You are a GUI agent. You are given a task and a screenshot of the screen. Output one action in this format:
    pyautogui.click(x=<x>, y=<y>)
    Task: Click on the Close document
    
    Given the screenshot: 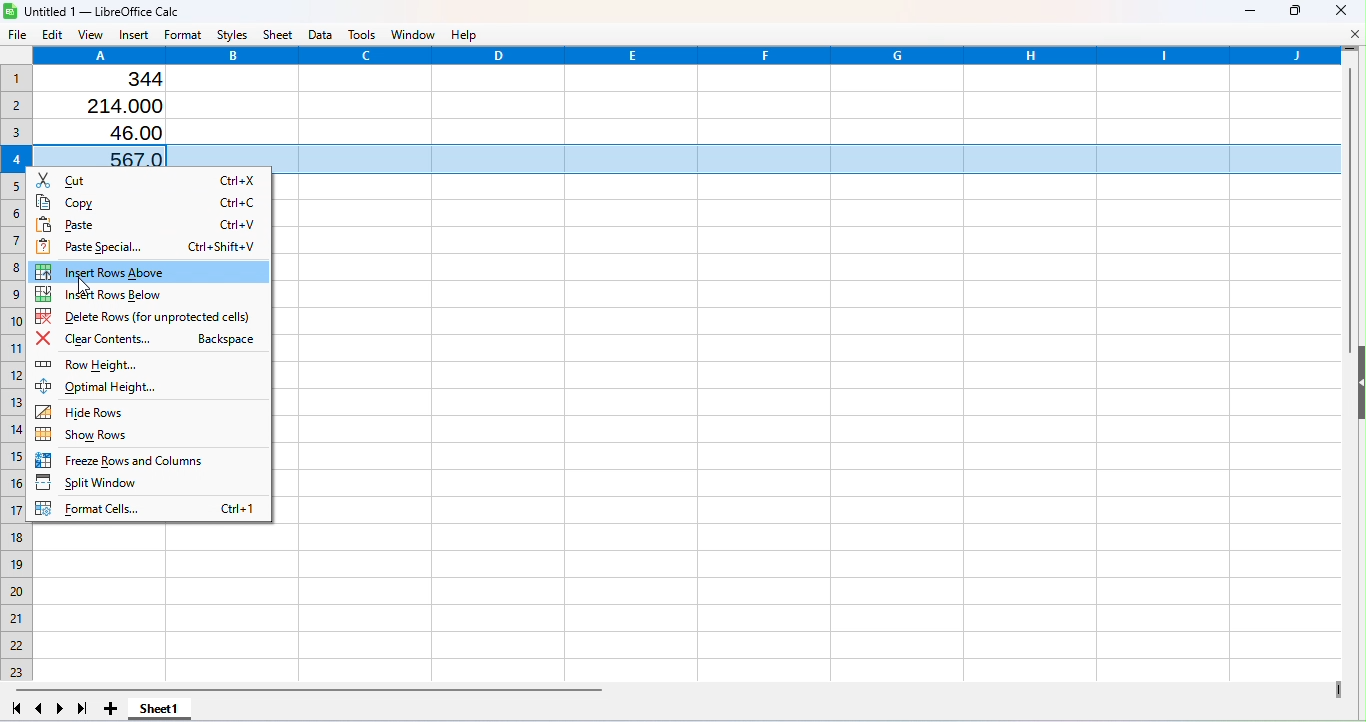 What is the action you would take?
    pyautogui.click(x=1351, y=33)
    